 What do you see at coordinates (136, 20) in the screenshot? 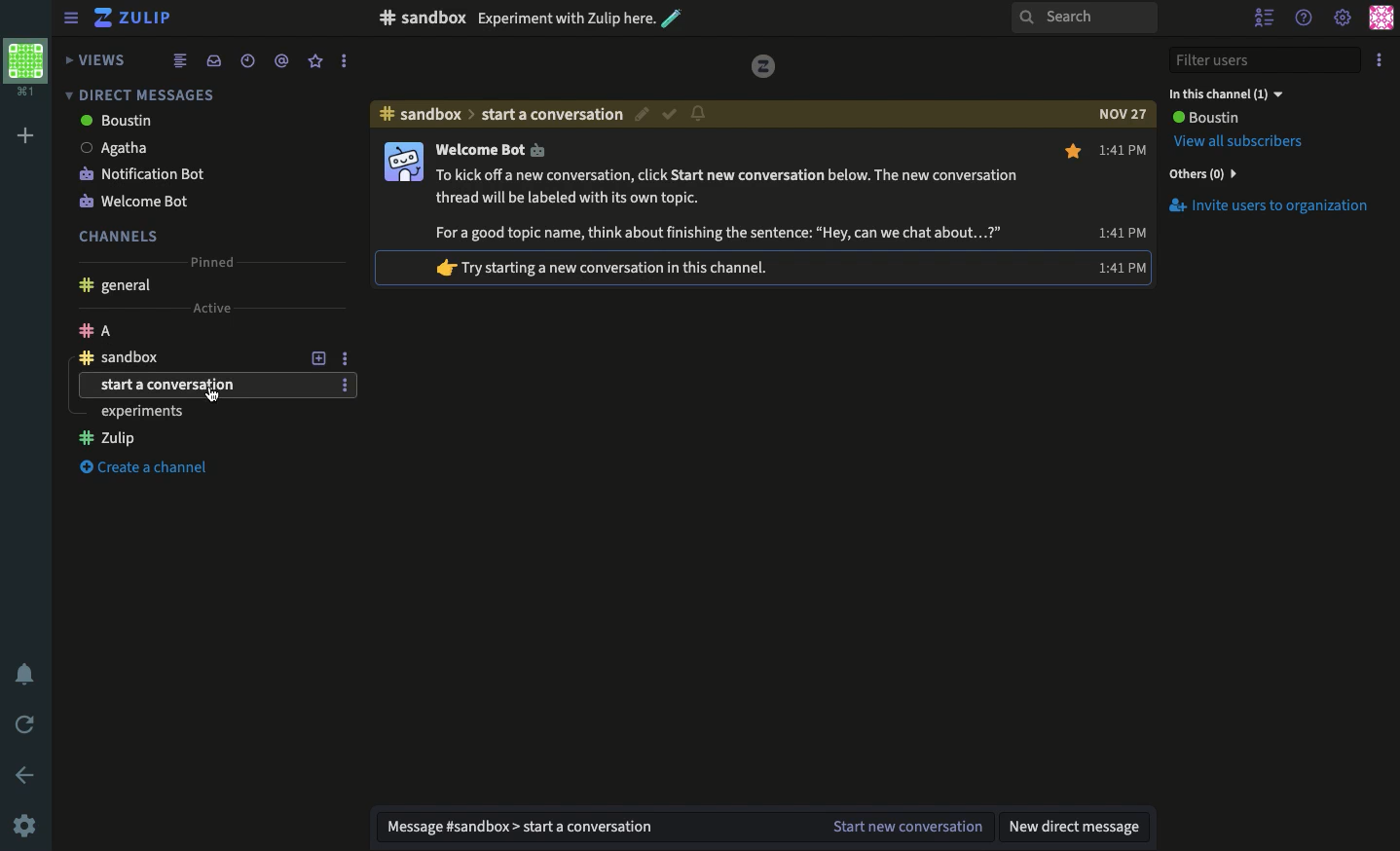
I see `Zulip` at bounding box center [136, 20].